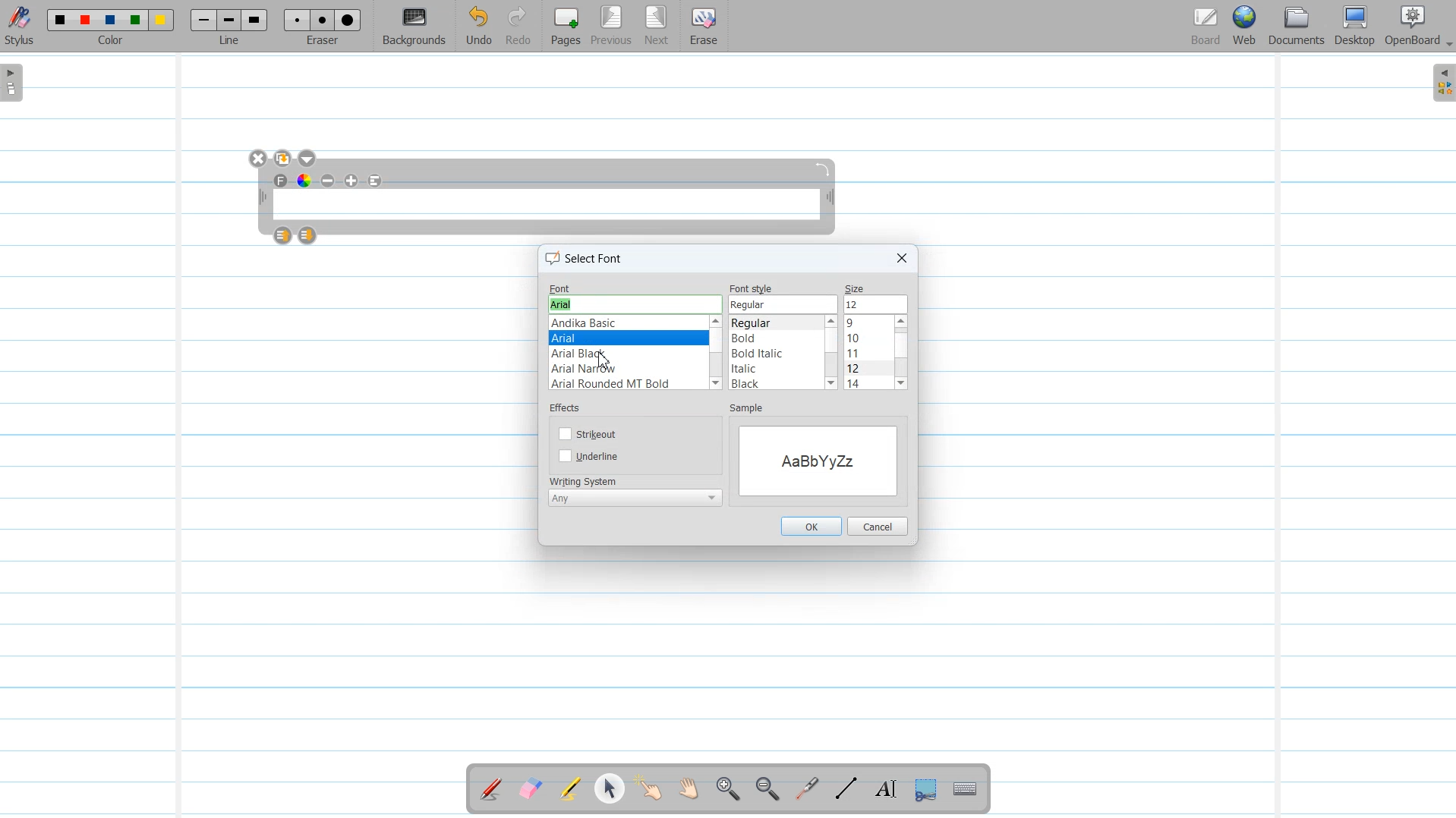  What do you see at coordinates (775, 354) in the screenshot?
I see `Font styles` at bounding box center [775, 354].